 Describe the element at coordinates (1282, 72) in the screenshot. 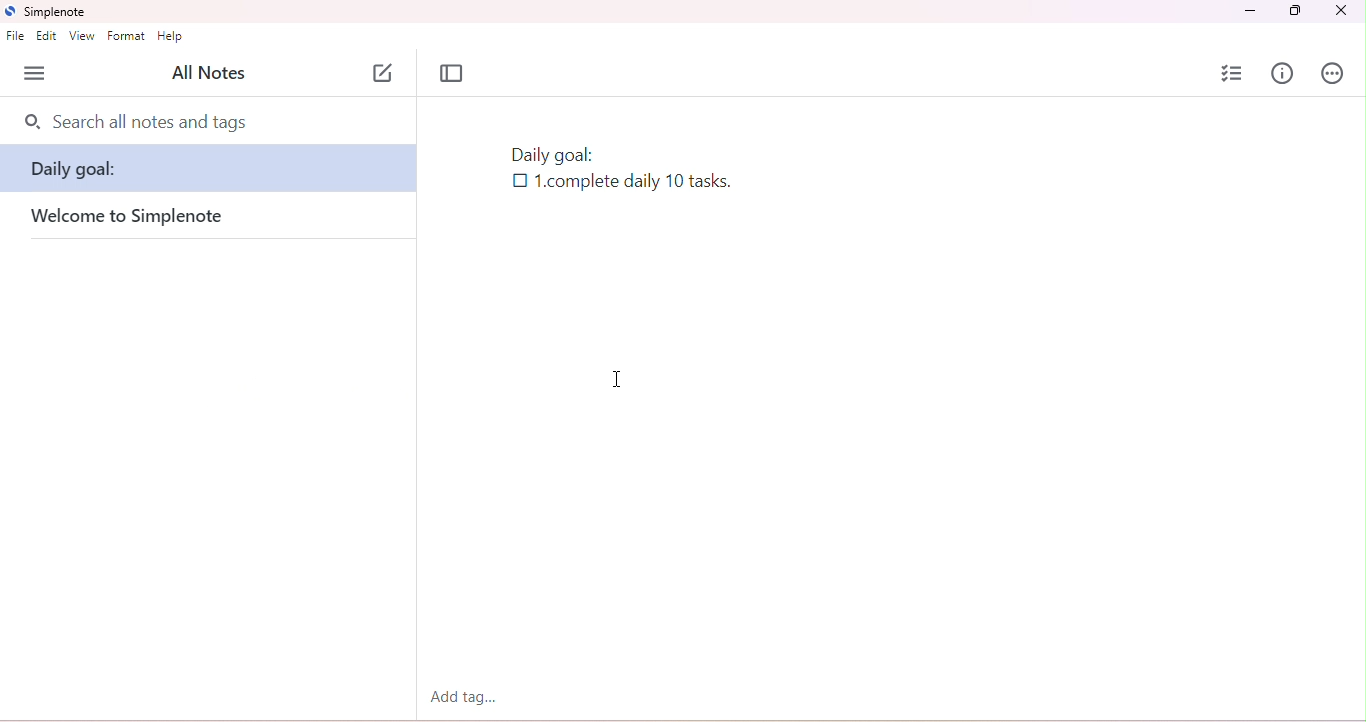

I see `info` at that location.